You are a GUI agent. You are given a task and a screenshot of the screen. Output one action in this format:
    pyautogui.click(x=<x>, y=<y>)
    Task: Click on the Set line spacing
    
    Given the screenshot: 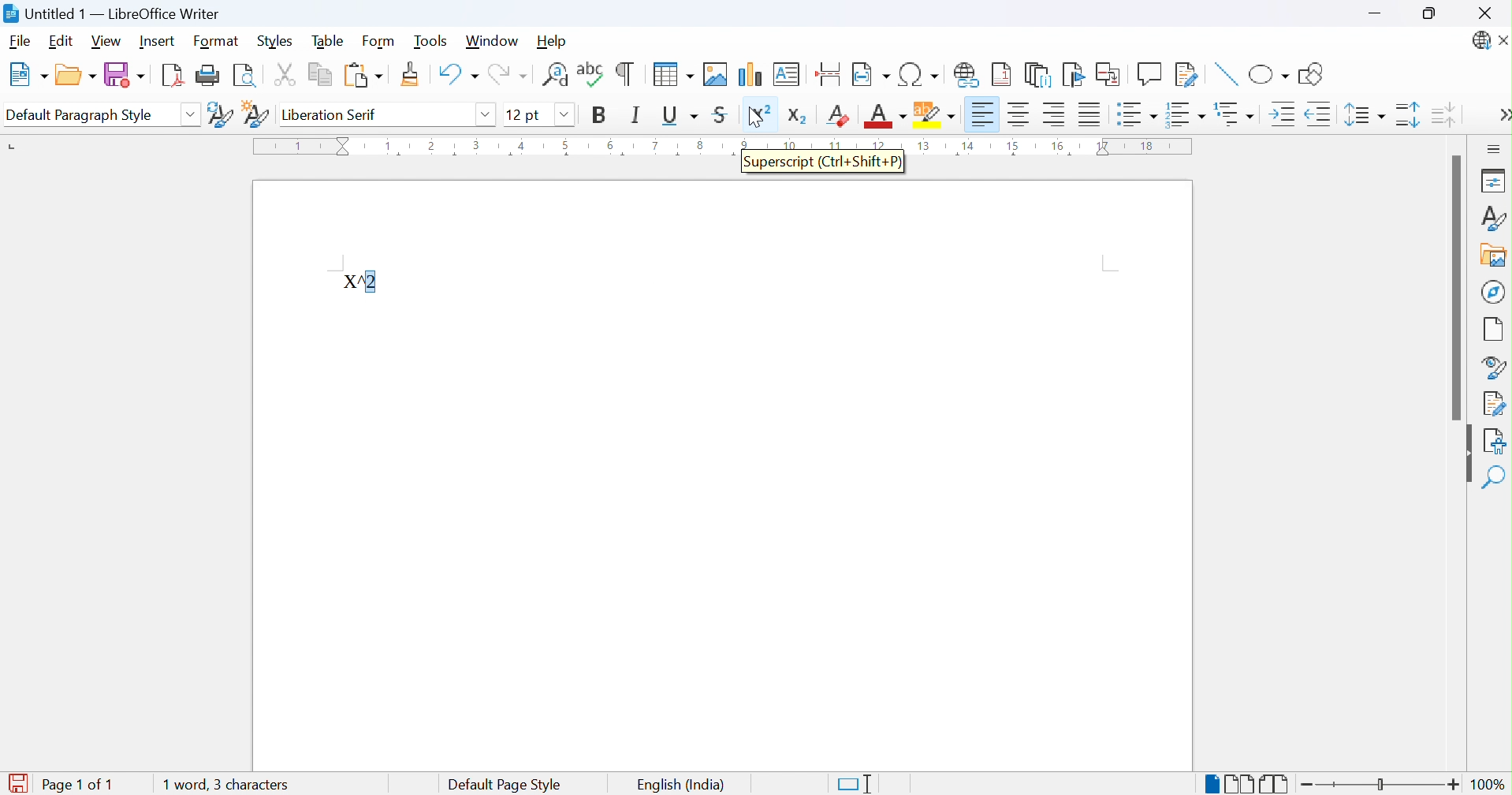 What is the action you would take?
    pyautogui.click(x=1365, y=114)
    